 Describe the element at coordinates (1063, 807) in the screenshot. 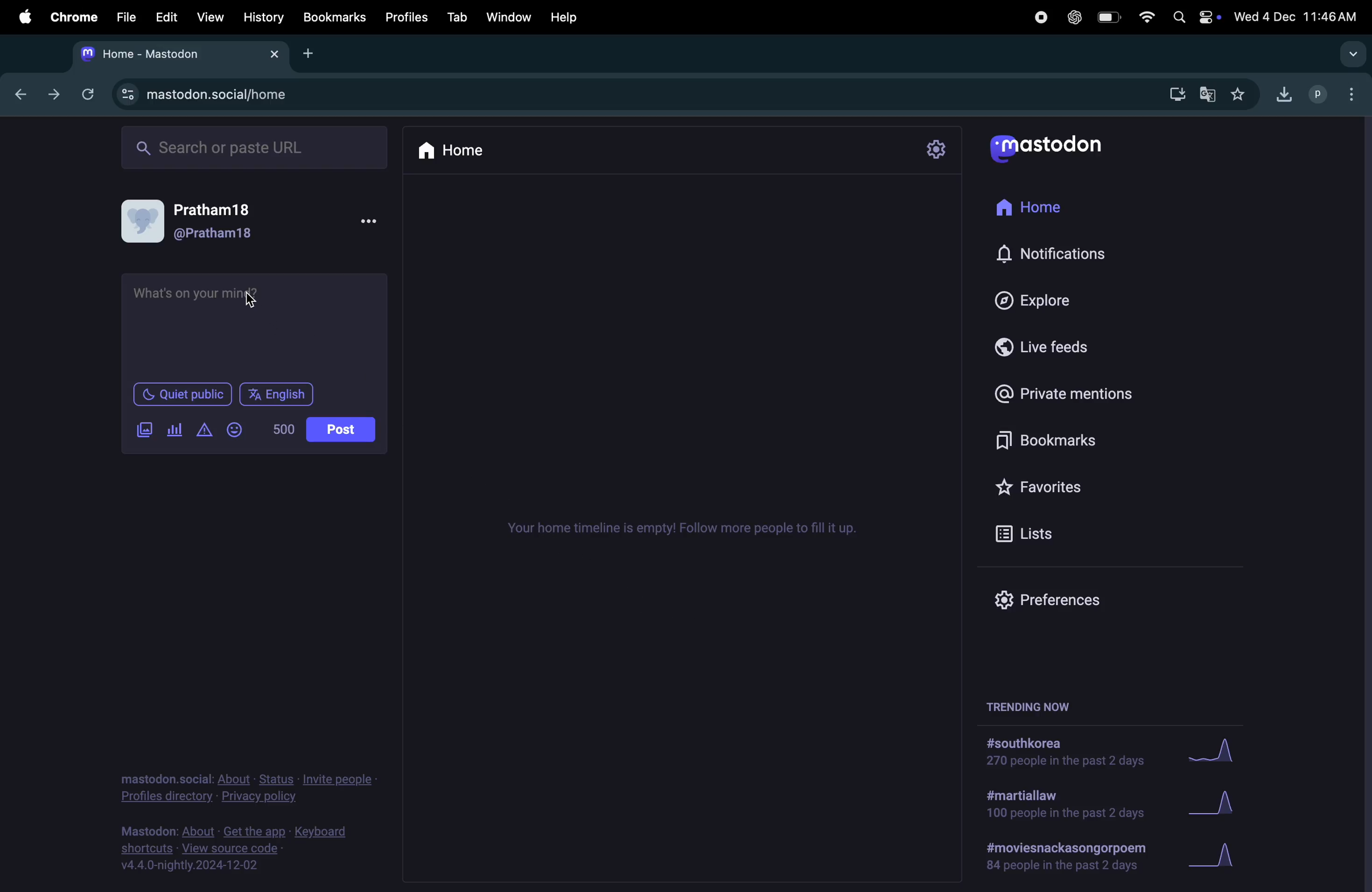

I see `#martiallaw` at that location.